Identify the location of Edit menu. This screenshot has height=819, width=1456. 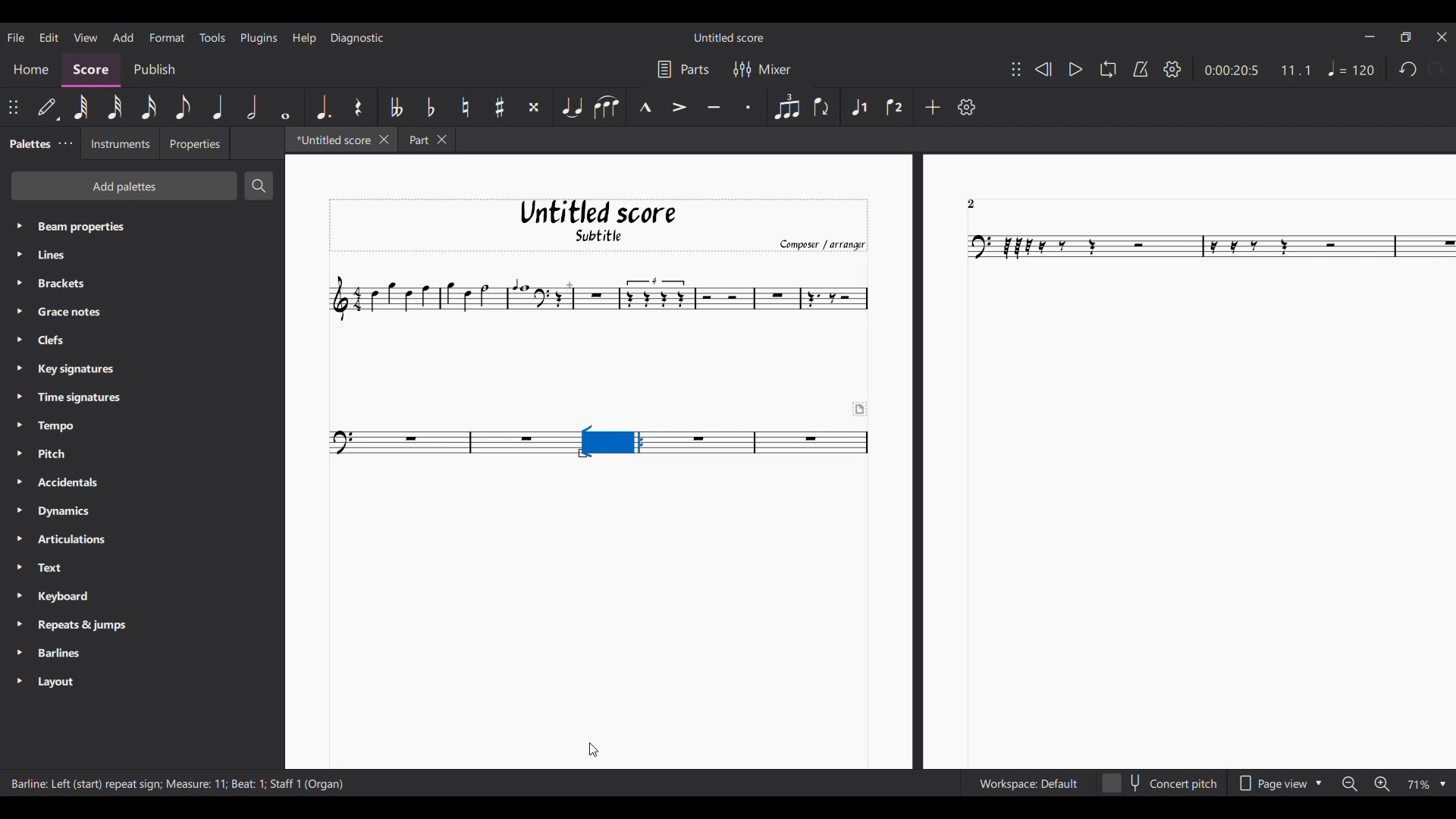
(50, 38).